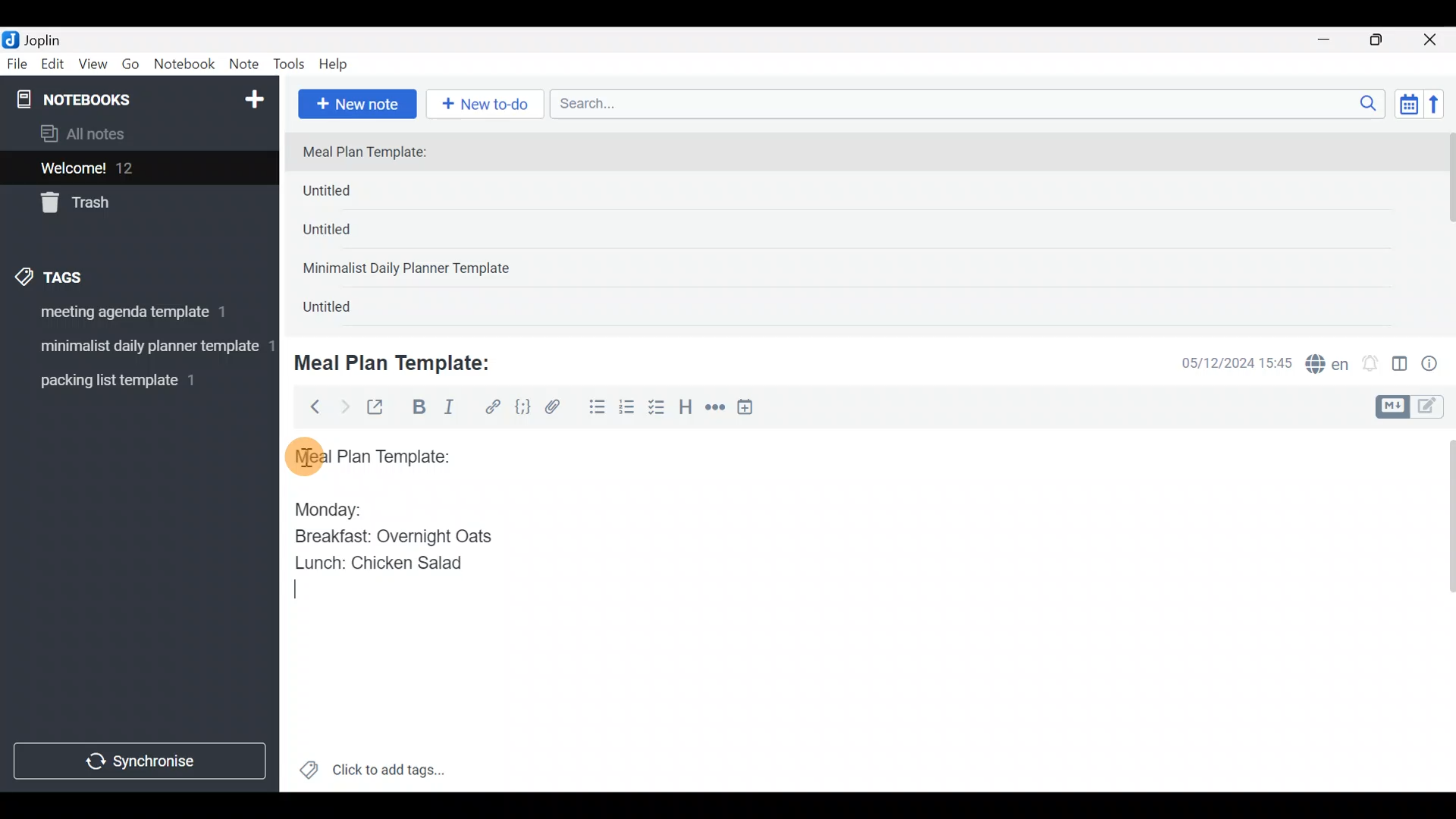  I want to click on Notebook, so click(185, 64).